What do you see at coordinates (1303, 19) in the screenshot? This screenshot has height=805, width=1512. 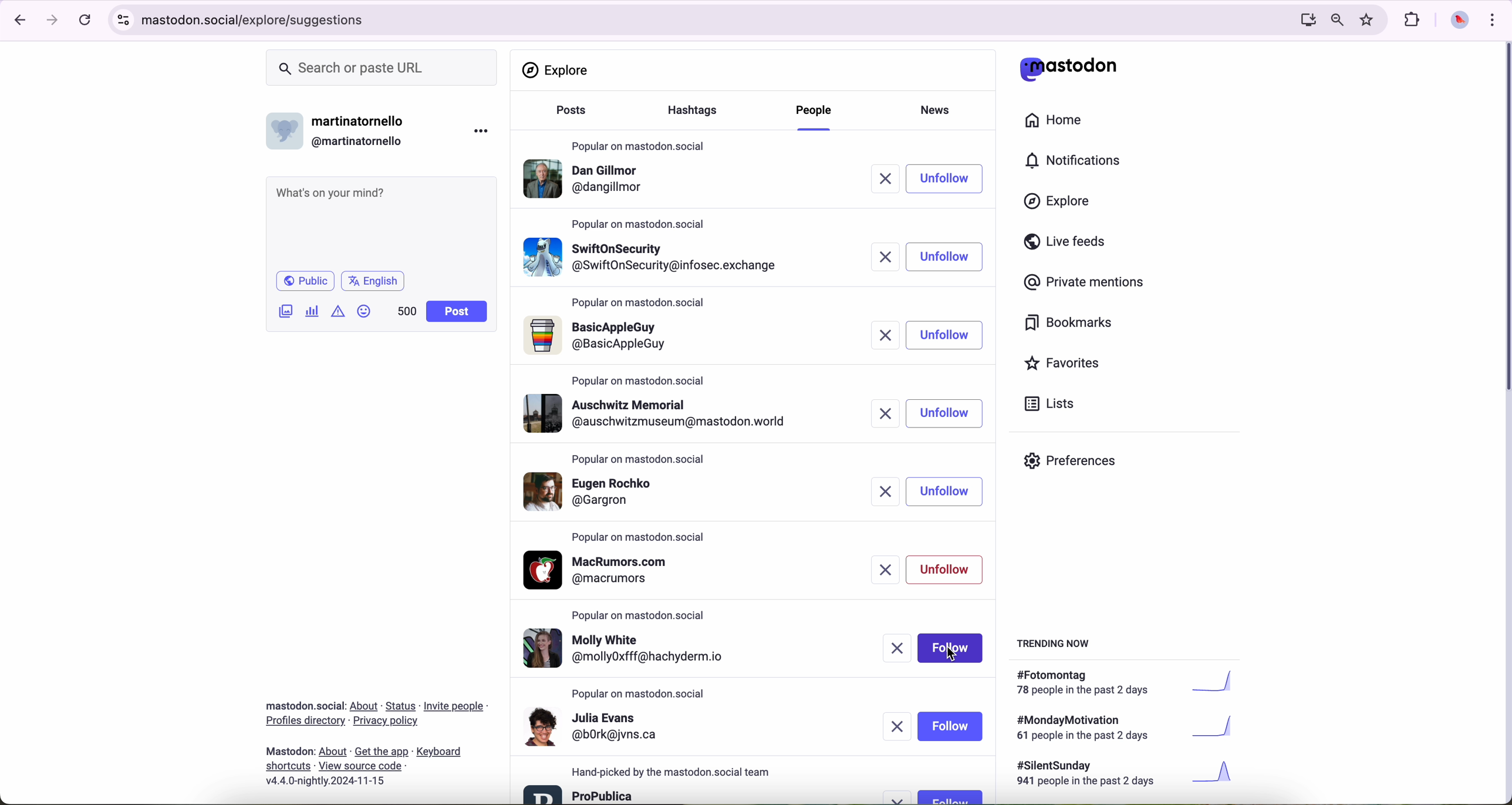 I see `computer` at bounding box center [1303, 19].